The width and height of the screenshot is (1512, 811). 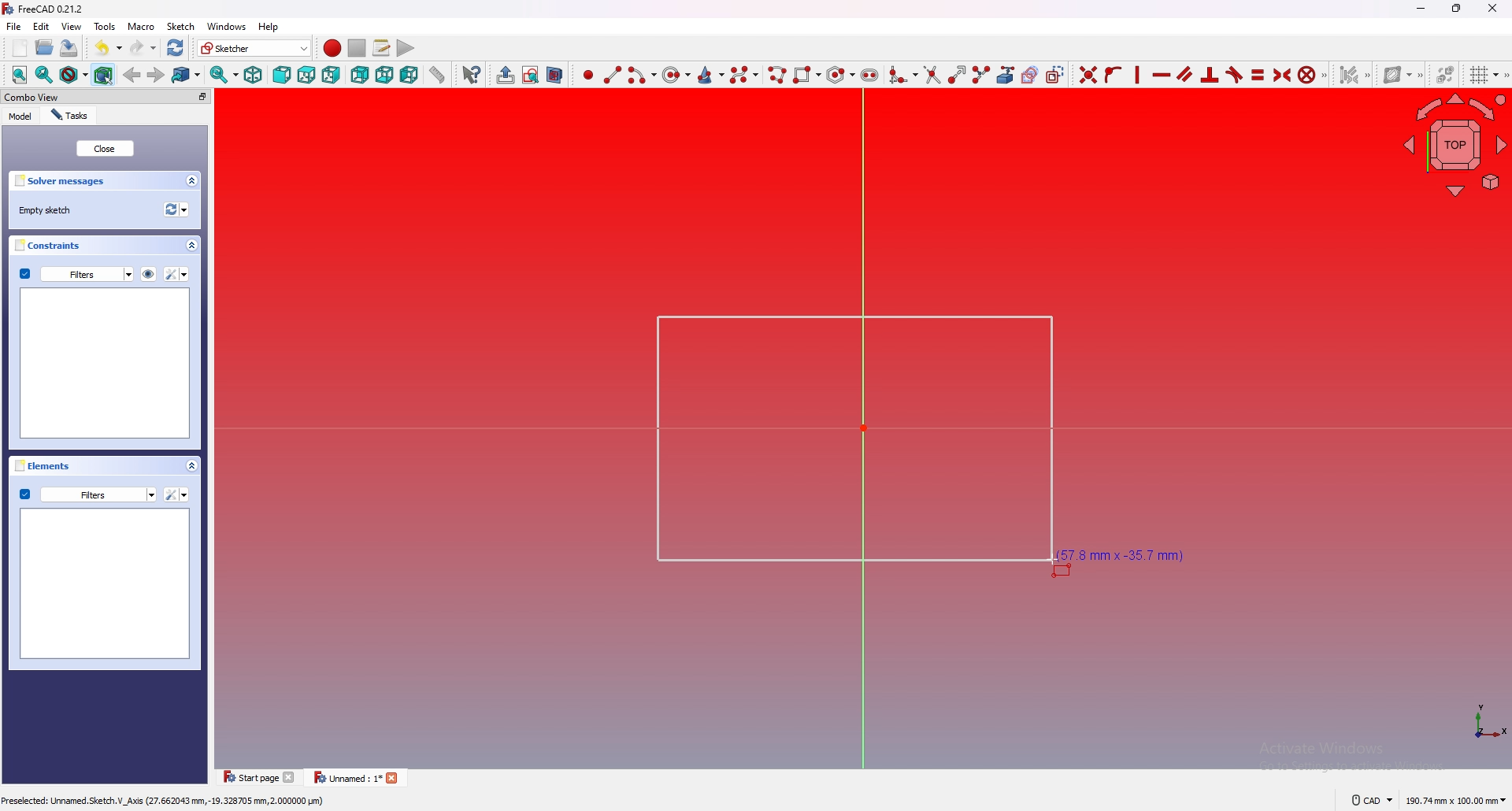 What do you see at coordinates (104, 75) in the screenshot?
I see `bounding box` at bounding box center [104, 75].